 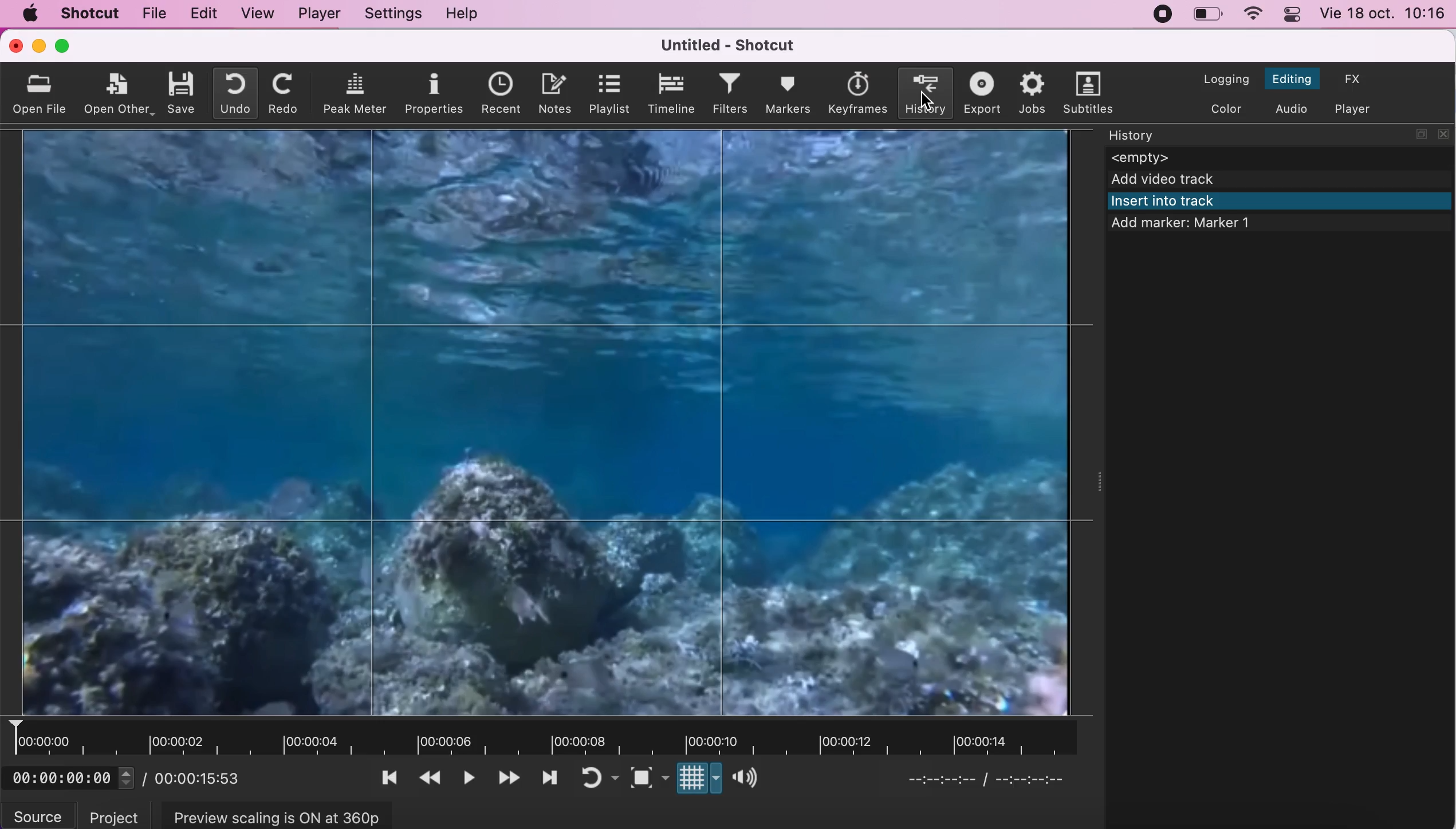 What do you see at coordinates (37, 814) in the screenshot?
I see `source` at bounding box center [37, 814].